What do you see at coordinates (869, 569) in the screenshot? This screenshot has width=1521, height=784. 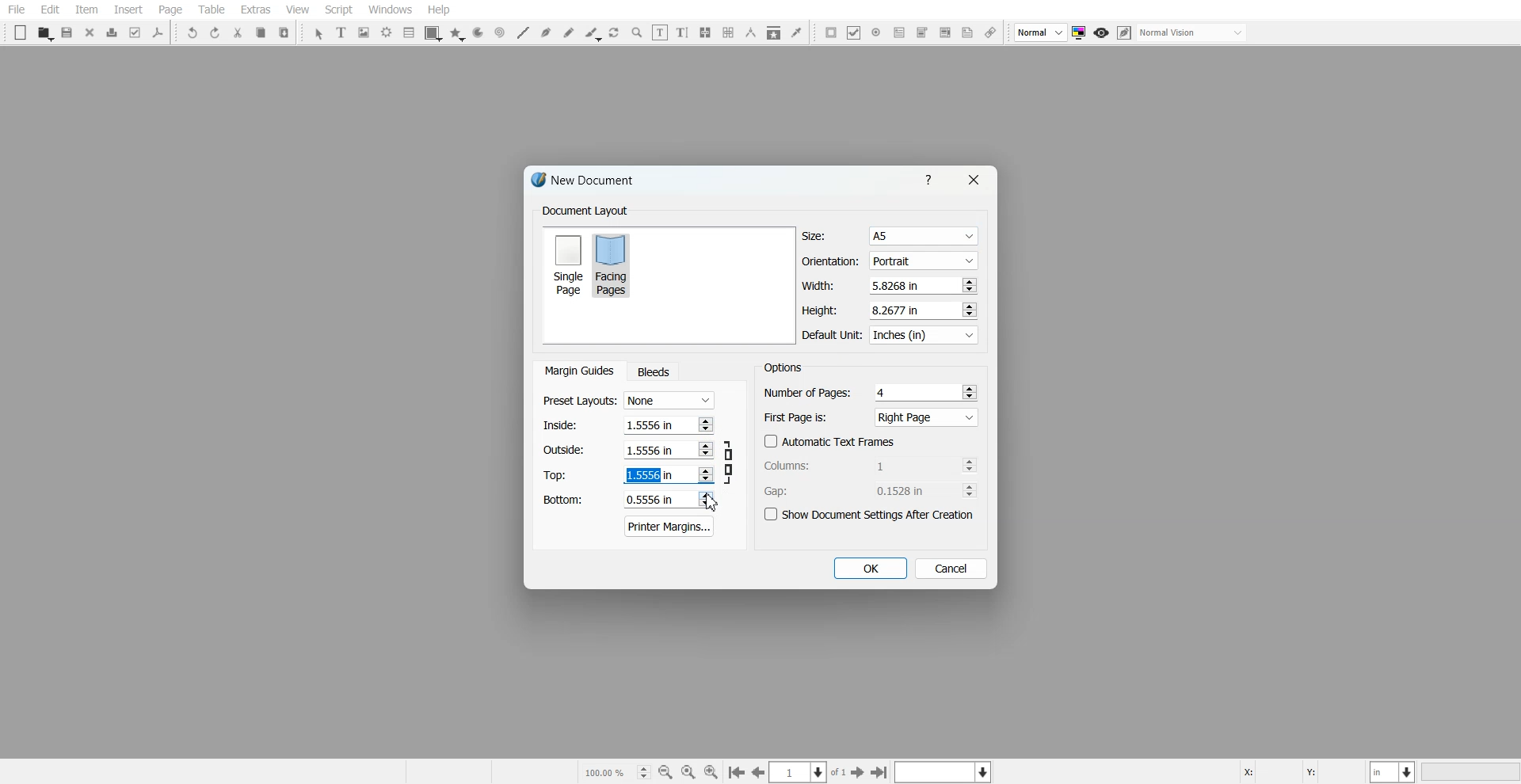 I see `OK` at bounding box center [869, 569].